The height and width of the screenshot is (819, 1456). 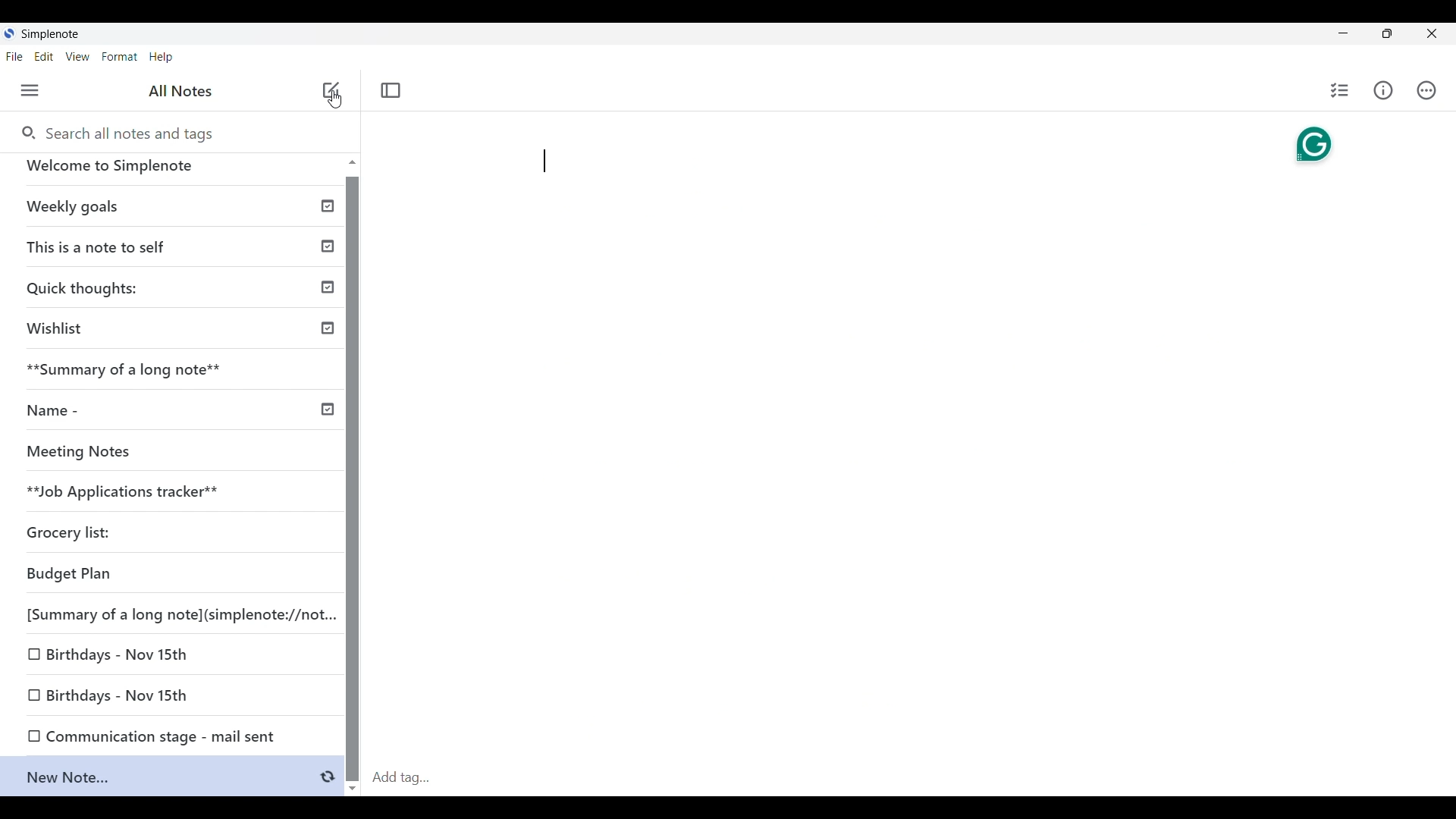 What do you see at coordinates (1343, 33) in the screenshot?
I see `Minimize` at bounding box center [1343, 33].